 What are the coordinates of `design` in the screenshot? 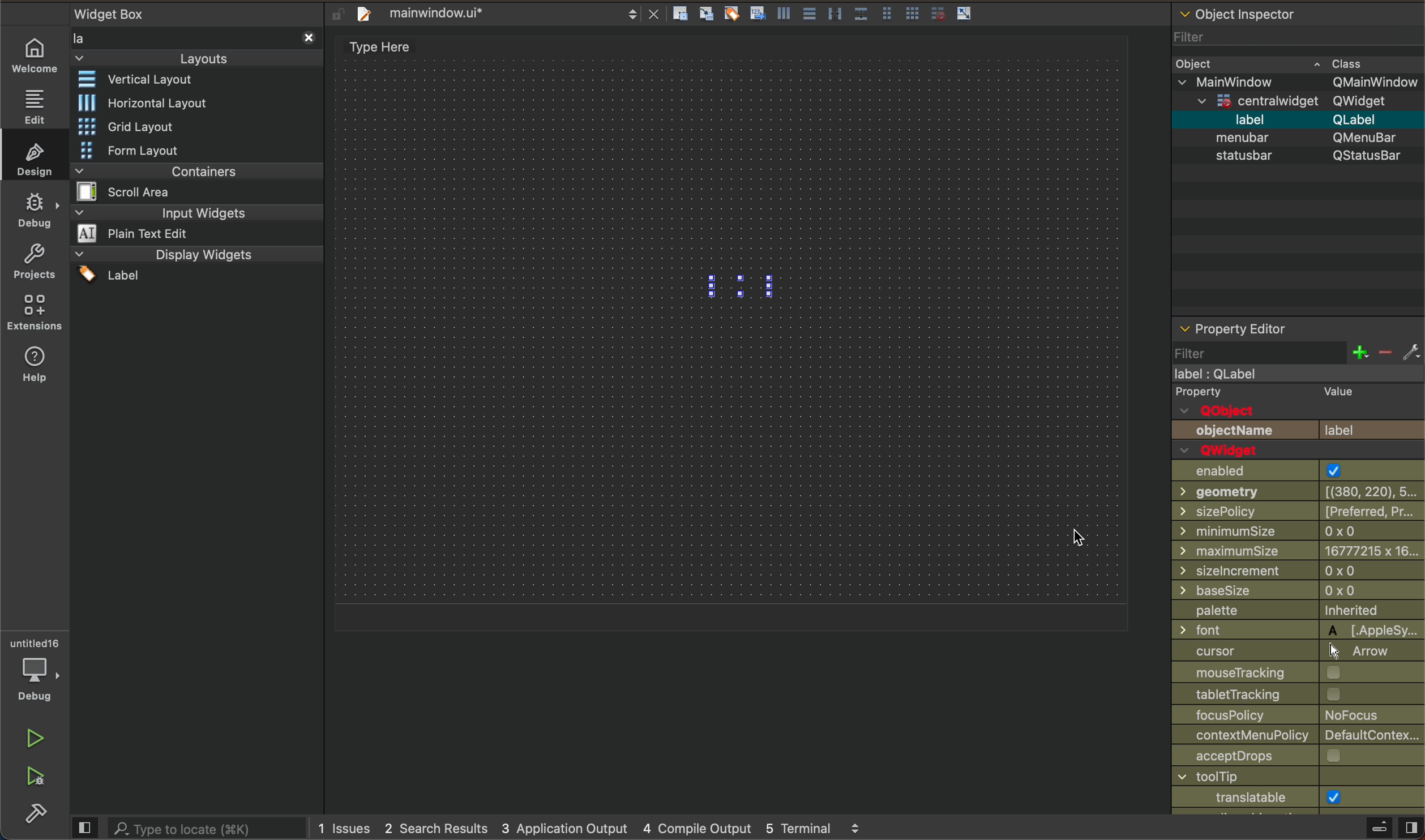 It's located at (35, 158).